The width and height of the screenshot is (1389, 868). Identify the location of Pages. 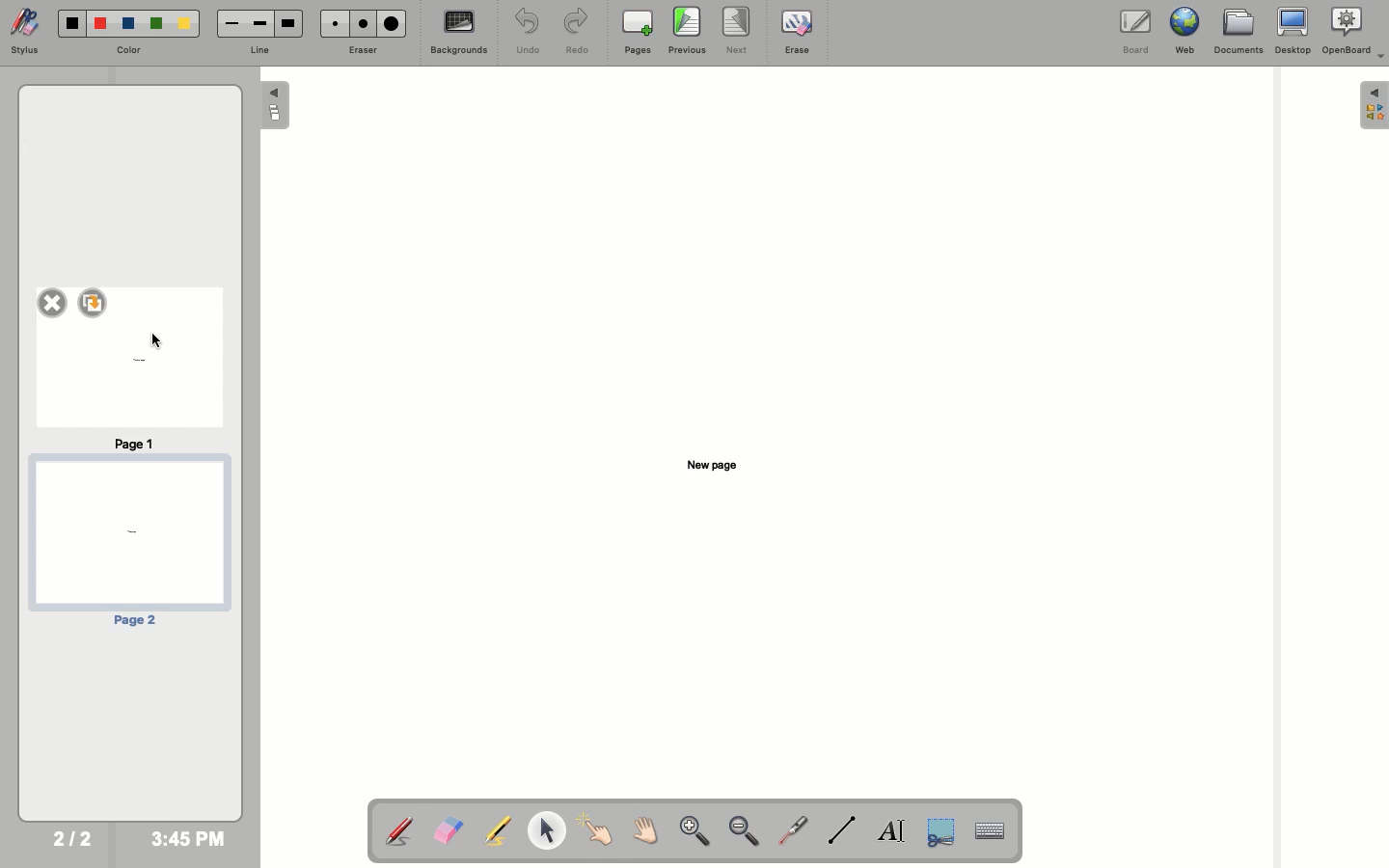
(638, 32).